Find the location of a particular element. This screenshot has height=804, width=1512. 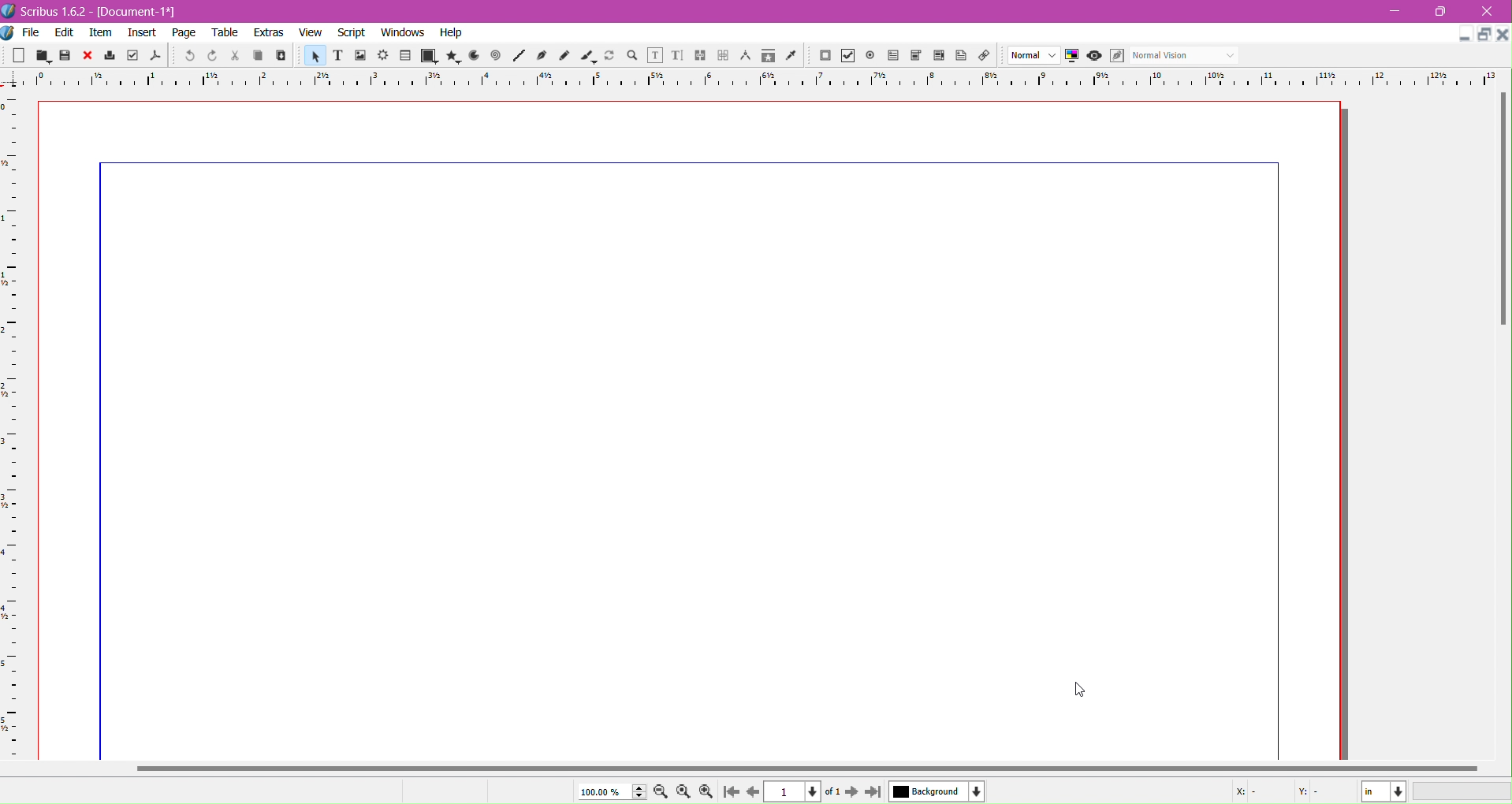

polygon is located at coordinates (449, 56).